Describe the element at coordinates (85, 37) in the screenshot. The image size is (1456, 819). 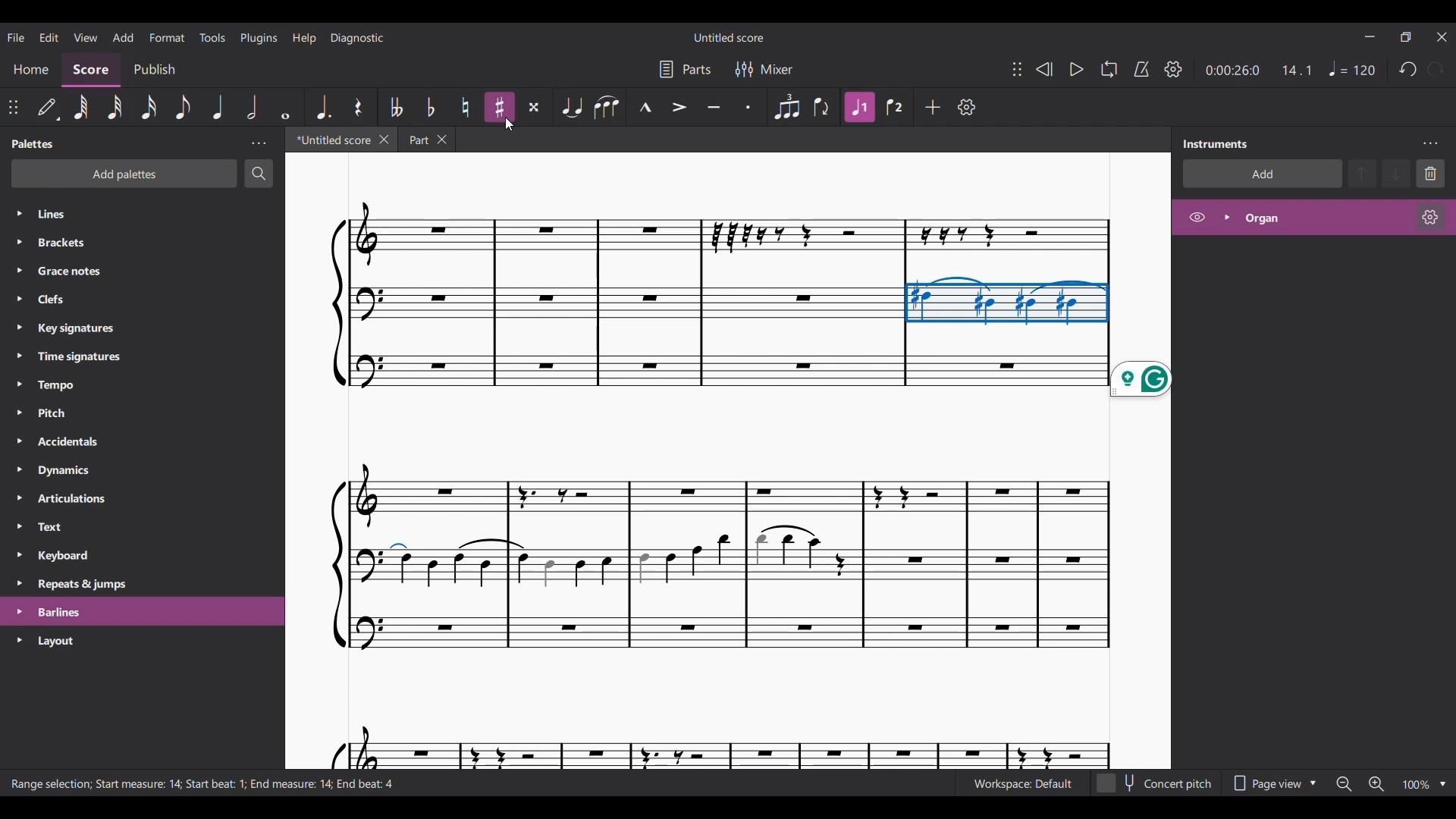
I see `View menu` at that location.